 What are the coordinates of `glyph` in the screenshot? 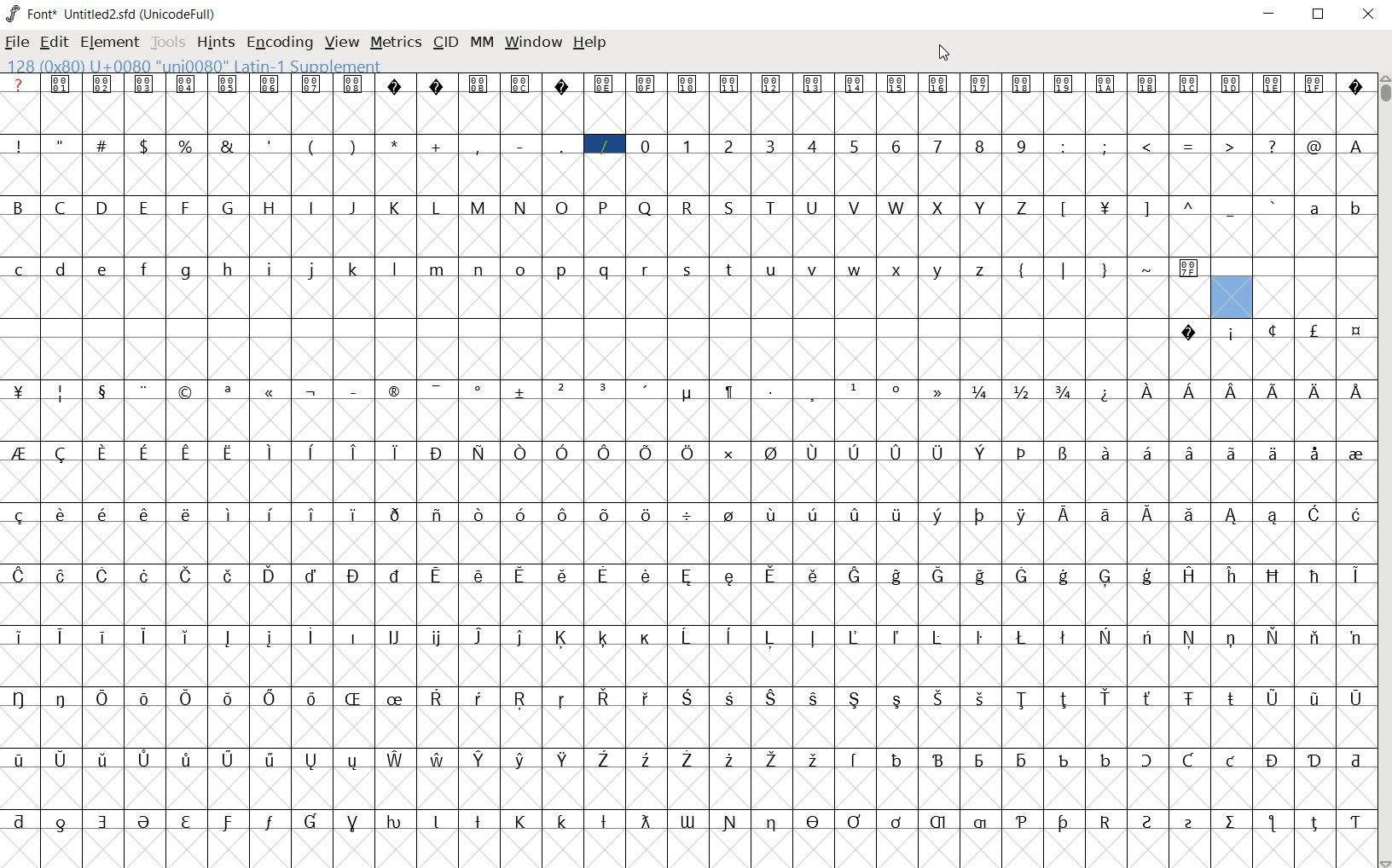 It's located at (270, 822).